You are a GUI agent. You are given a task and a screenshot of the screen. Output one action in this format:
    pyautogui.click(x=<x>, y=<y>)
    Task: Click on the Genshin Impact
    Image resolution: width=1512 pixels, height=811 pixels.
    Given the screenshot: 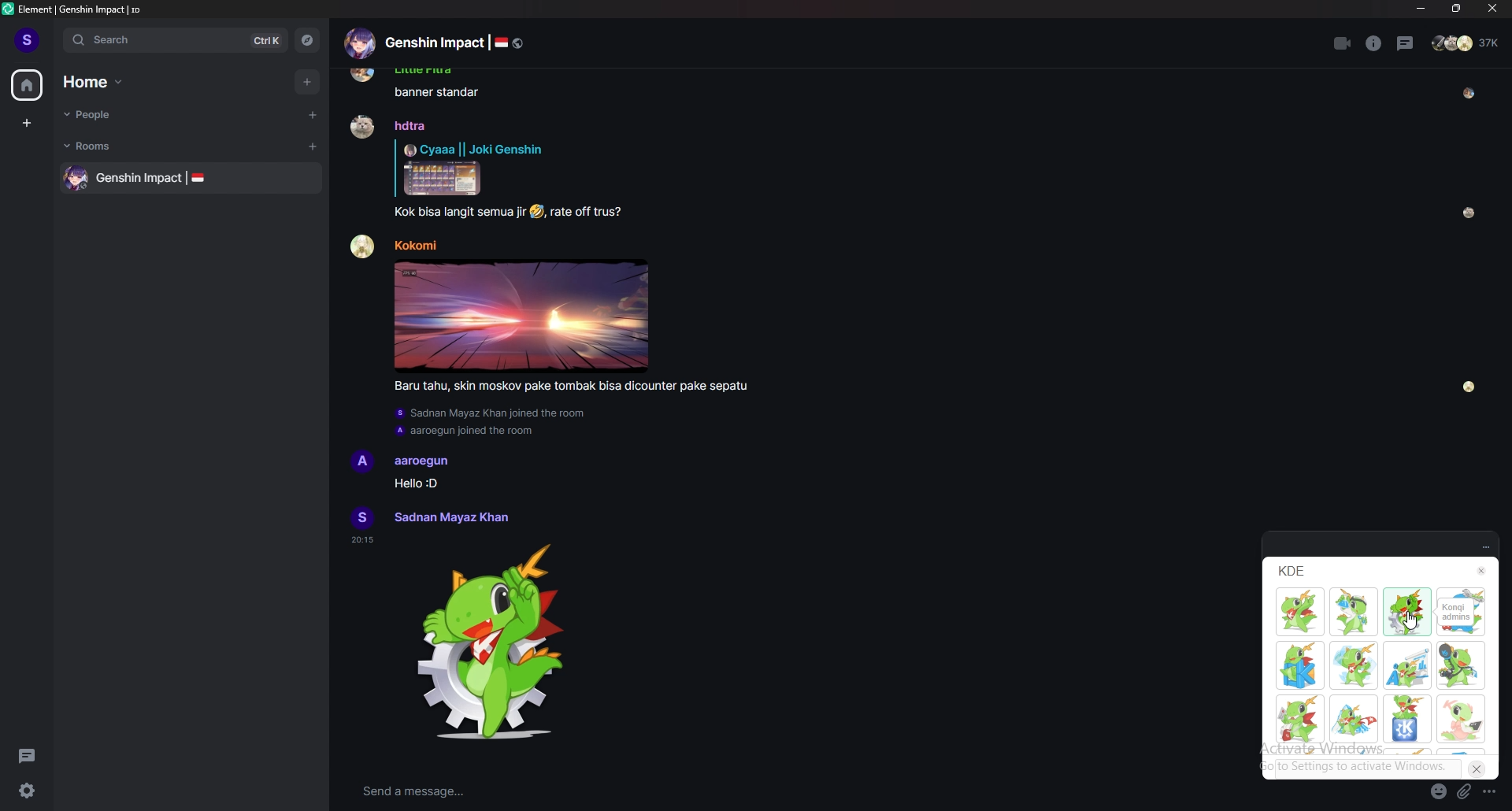 What is the action you would take?
    pyautogui.click(x=434, y=43)
    